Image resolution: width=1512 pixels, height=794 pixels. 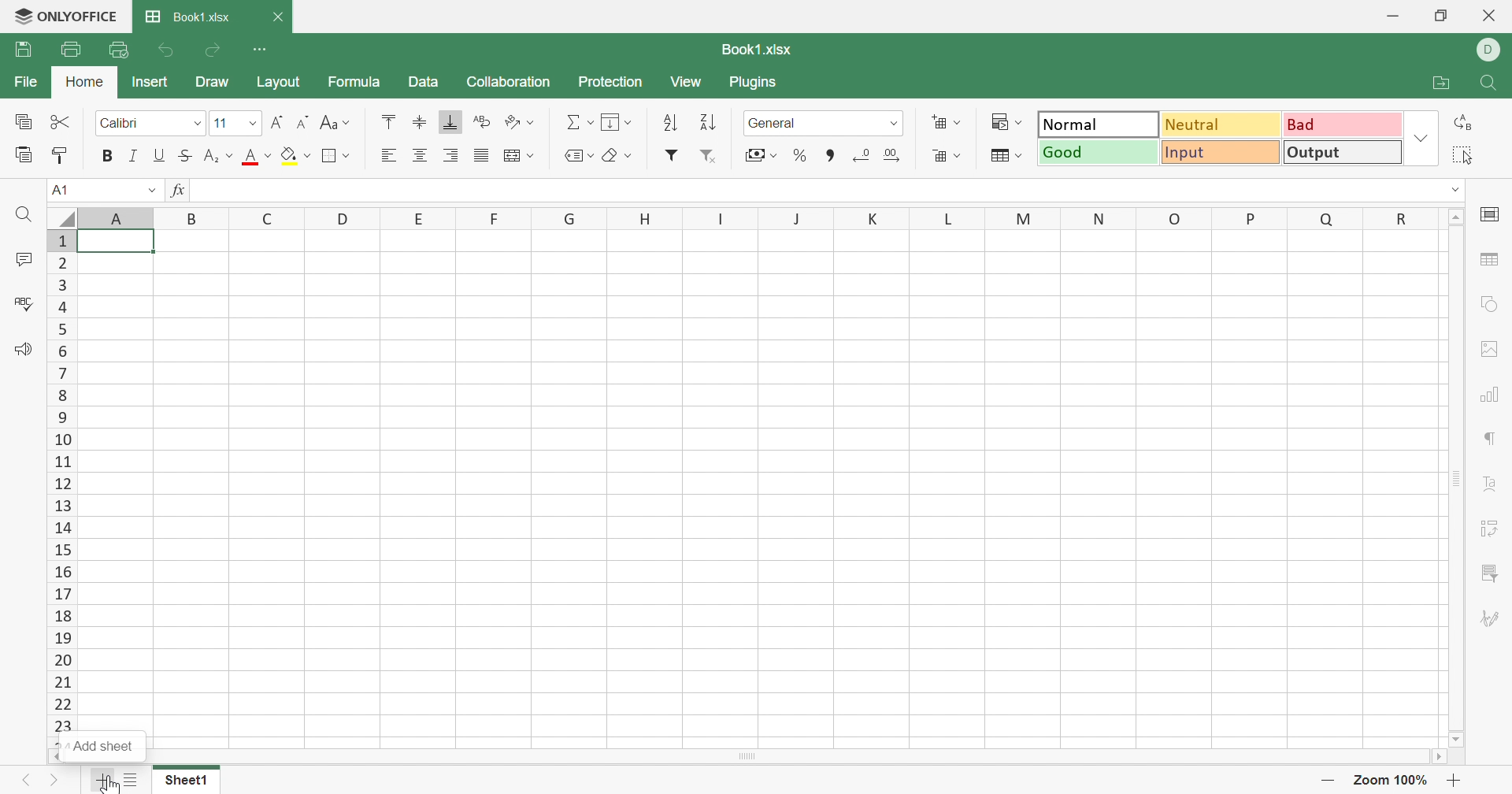 What do you see at coordinates (150, 189) in the screenshot?
I see `Drop Down` at bounding box center [150, 189].